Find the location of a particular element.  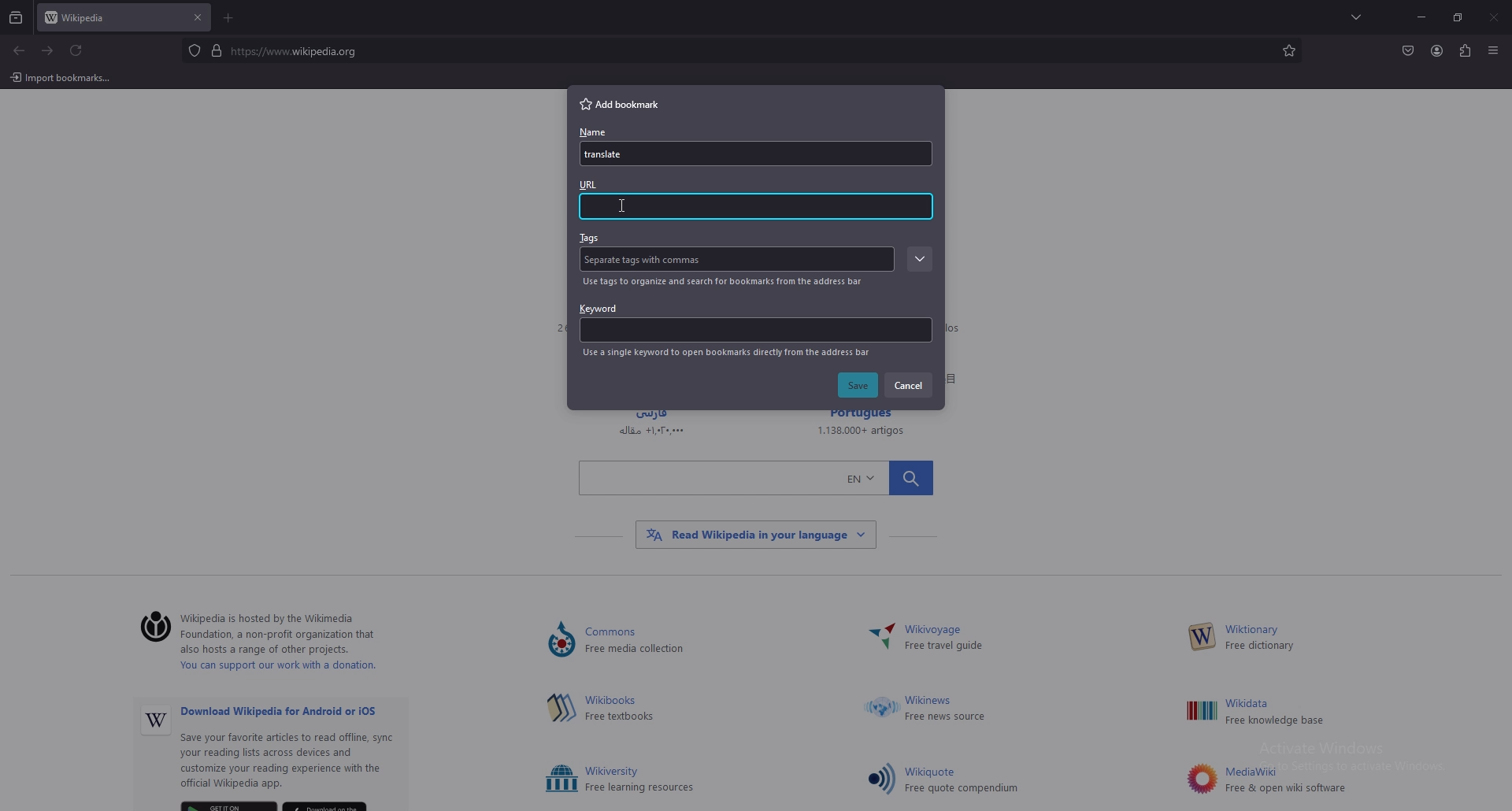

W—
Free dictionary is located at coordinates (1259, 639).